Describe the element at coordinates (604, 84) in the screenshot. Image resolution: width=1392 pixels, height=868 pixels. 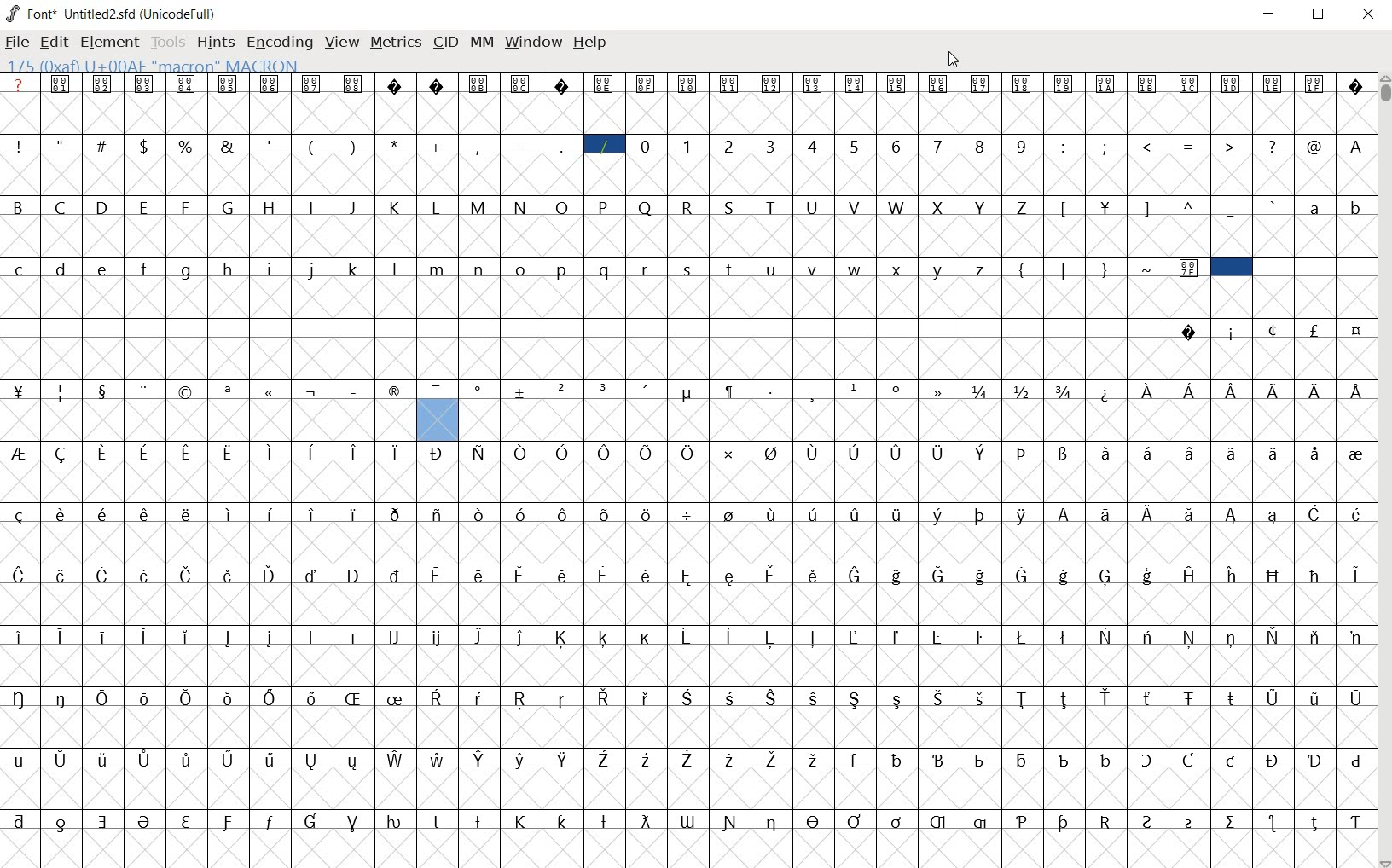
I see `Symbol` at that location.